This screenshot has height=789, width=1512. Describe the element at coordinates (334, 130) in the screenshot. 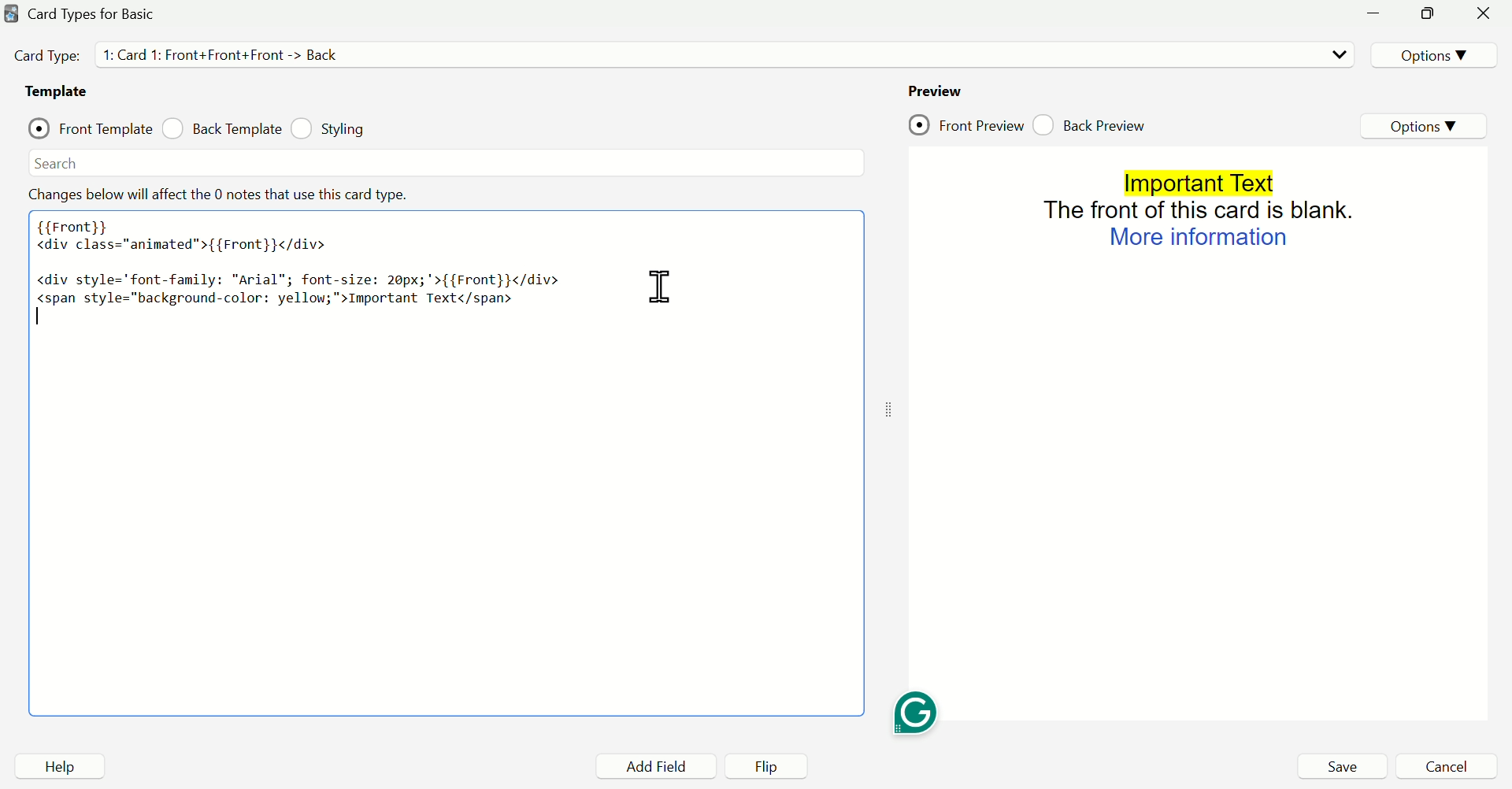

I see `check Styling` at that location.